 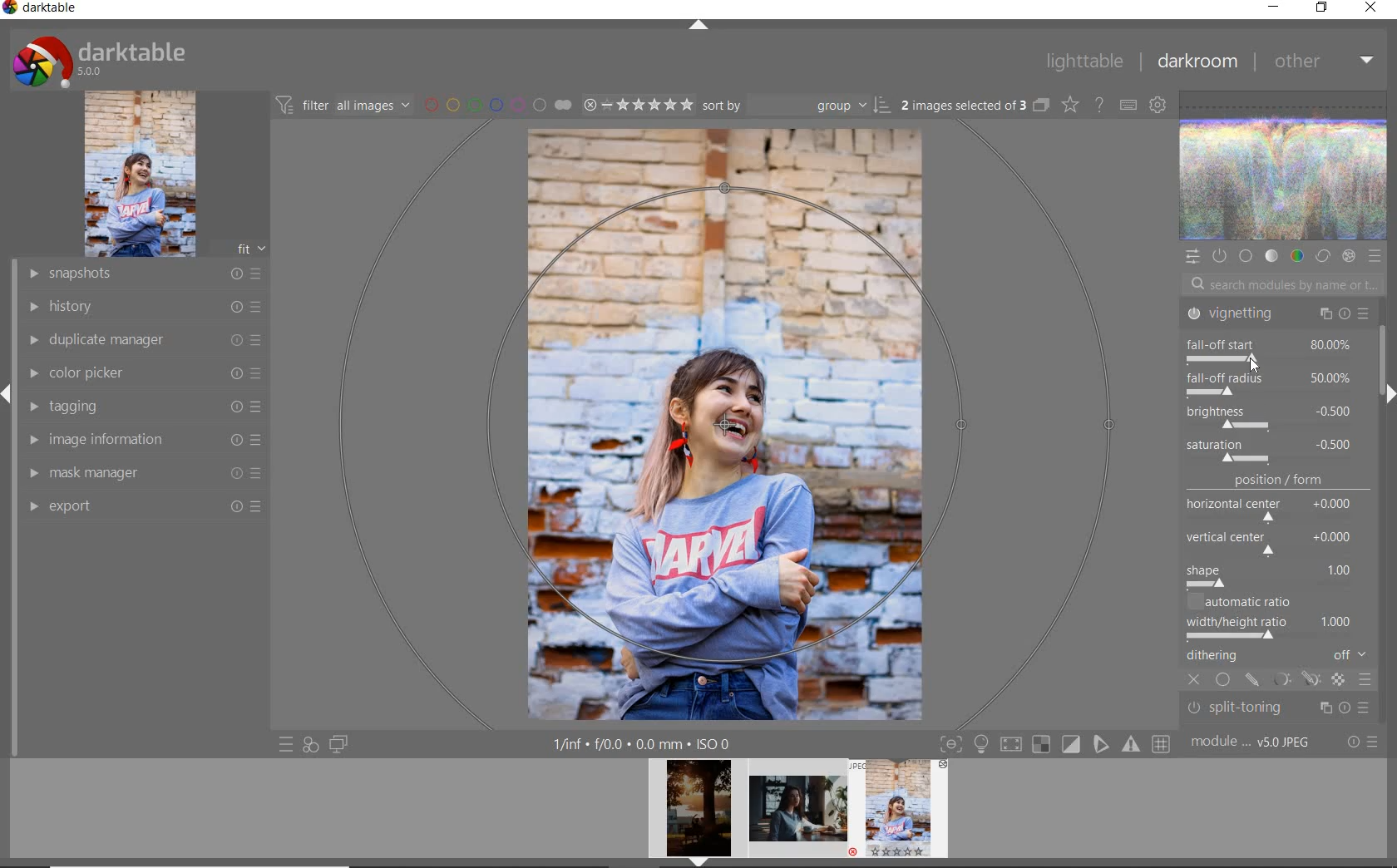 What do you see at coordinates (698, 27) in the screenshot?
I see `expand/collapse` at bounding box center [698, 27].